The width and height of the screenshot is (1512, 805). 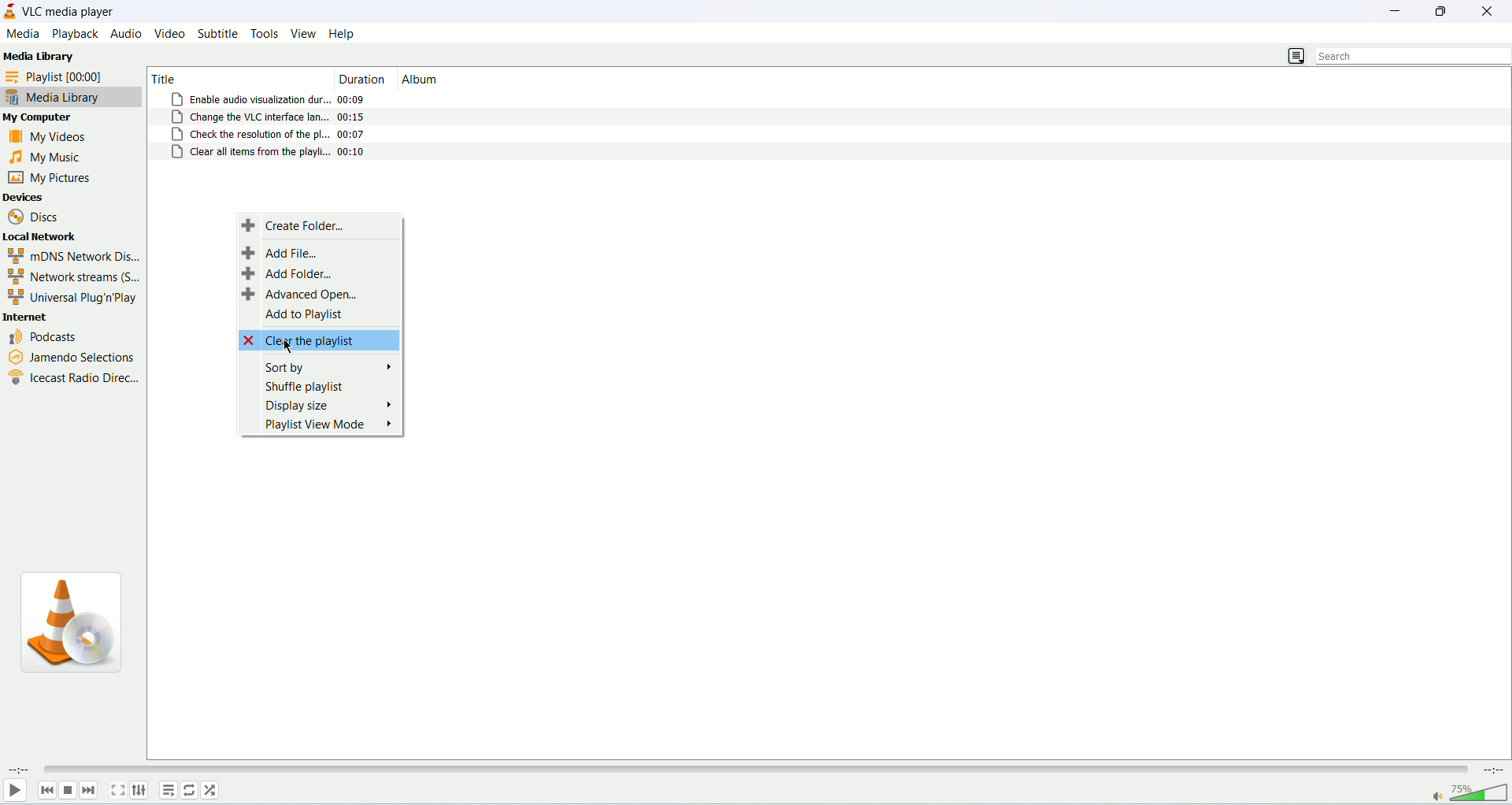 What do you see at coordinates (423, 80) in the screenshot?
I see `album` at bounding box center [423, 80].